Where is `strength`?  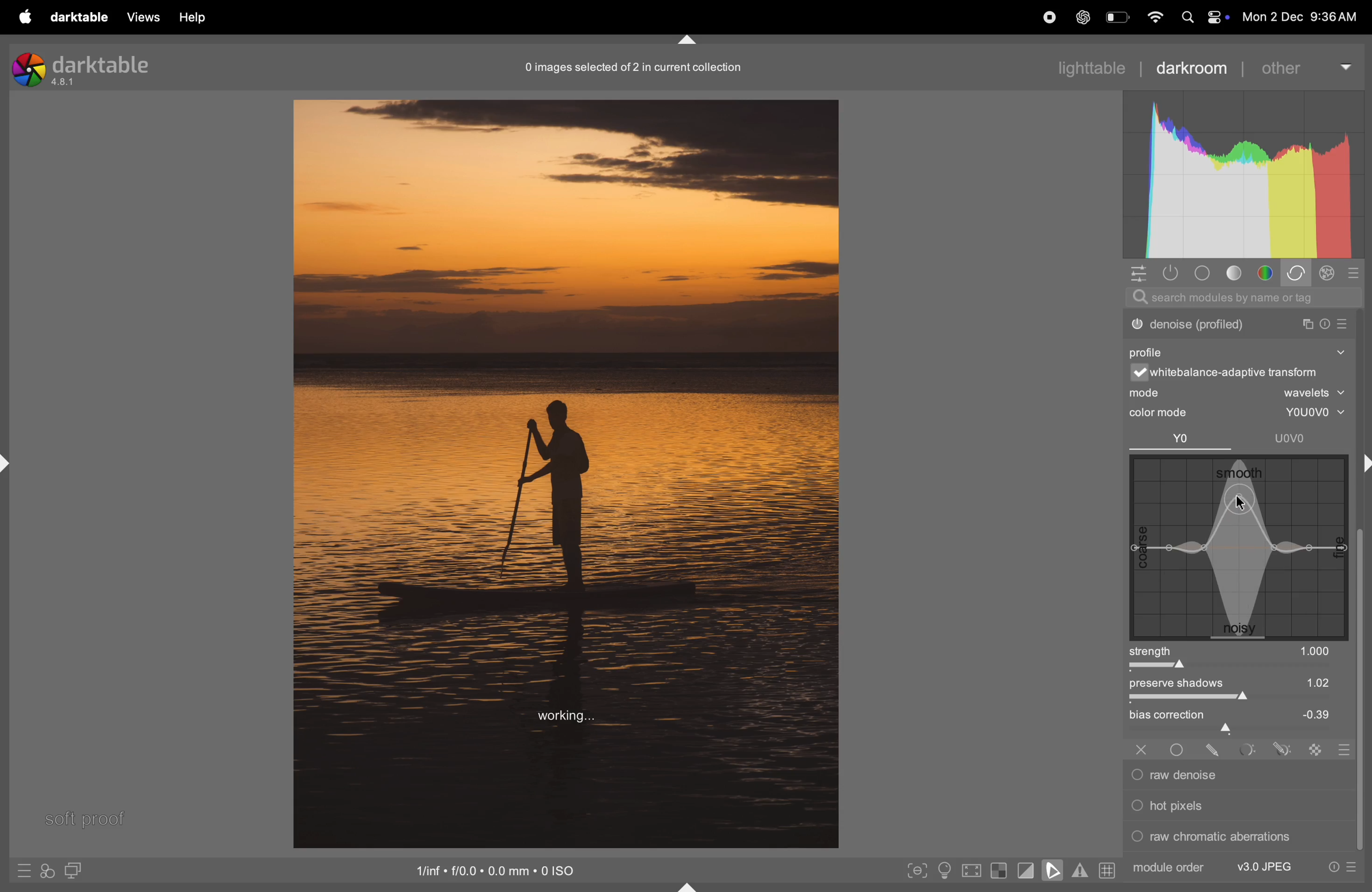
strength is located at coordinates (1153, 651).